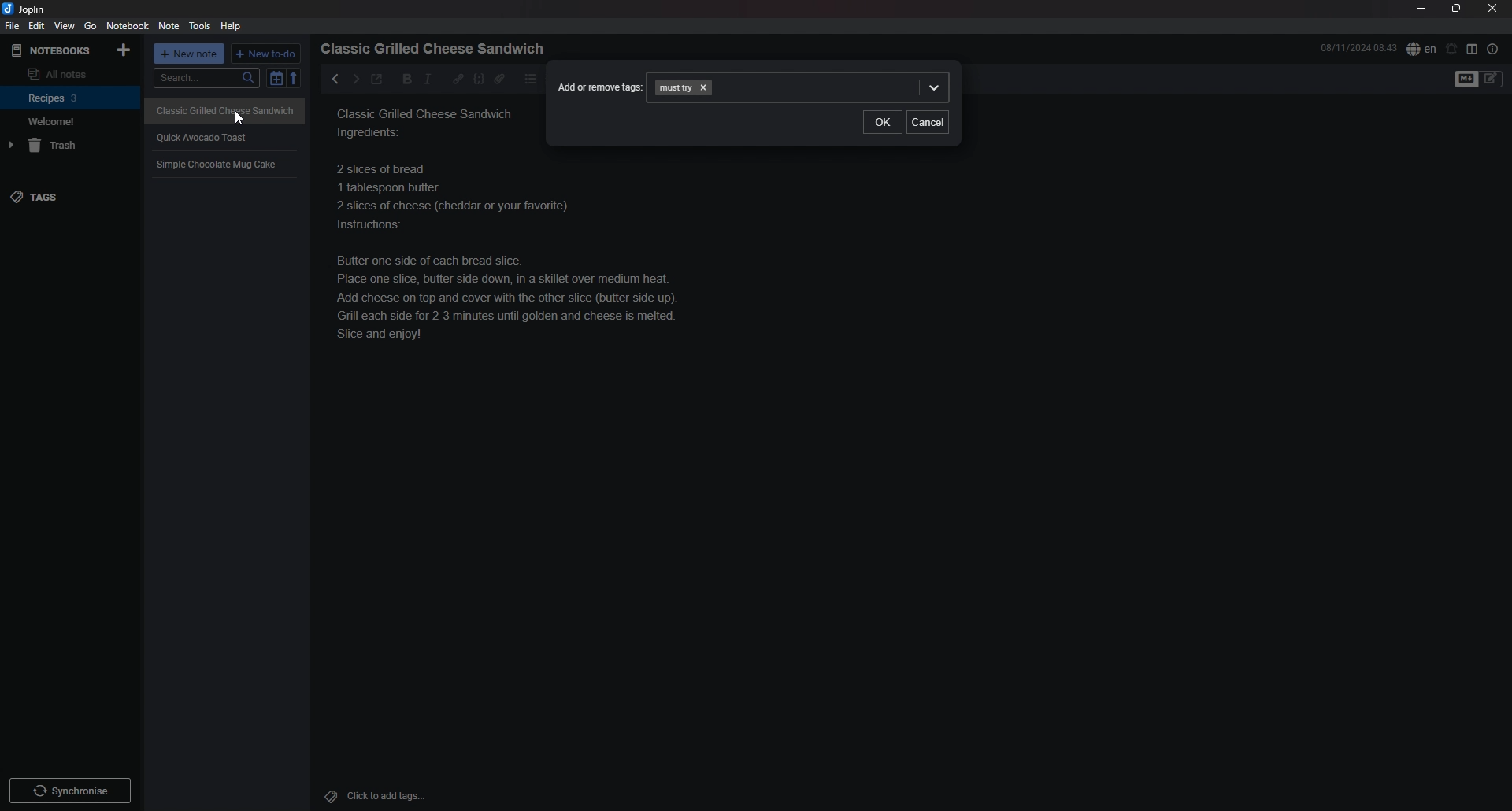 Image resolution: width=1512 pixels, height=811 pixels. What do you see at coordinates (499, 79) in the screenshot?
I see `attachment` at bounding box center [499, 79].